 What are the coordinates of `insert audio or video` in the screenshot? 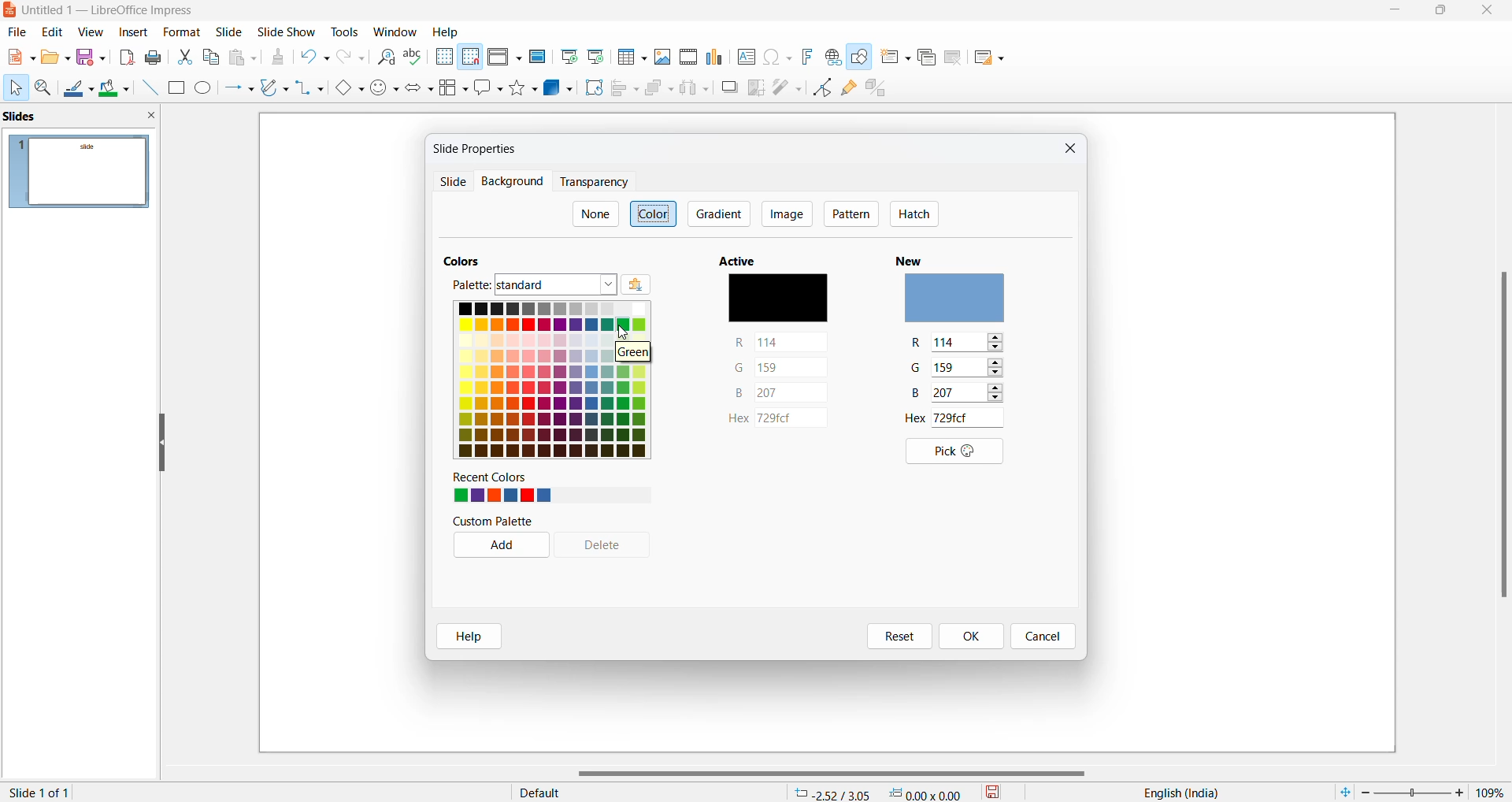 It's located at (687, 58).